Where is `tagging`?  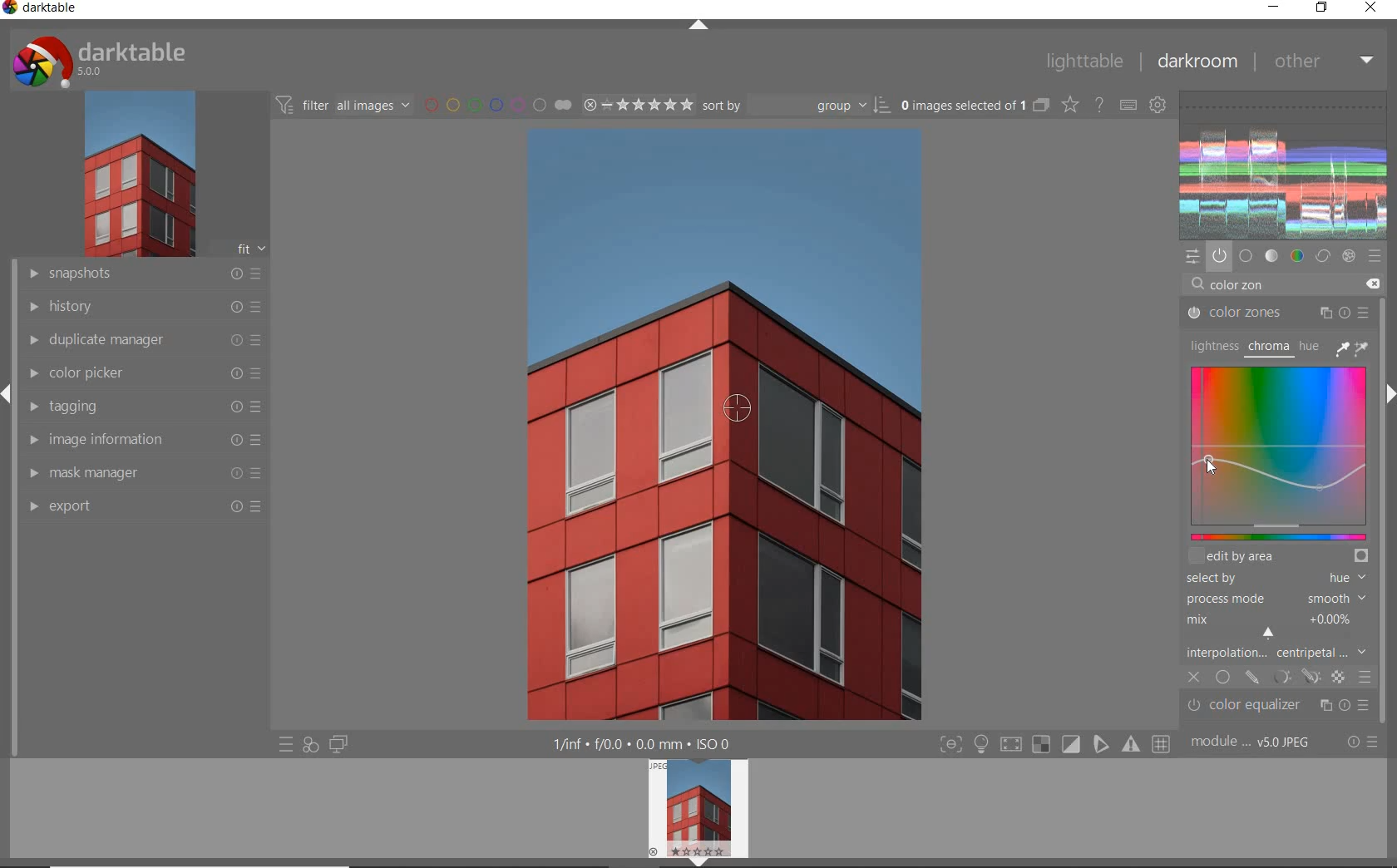 tagging is located at coordinates (141, 407).